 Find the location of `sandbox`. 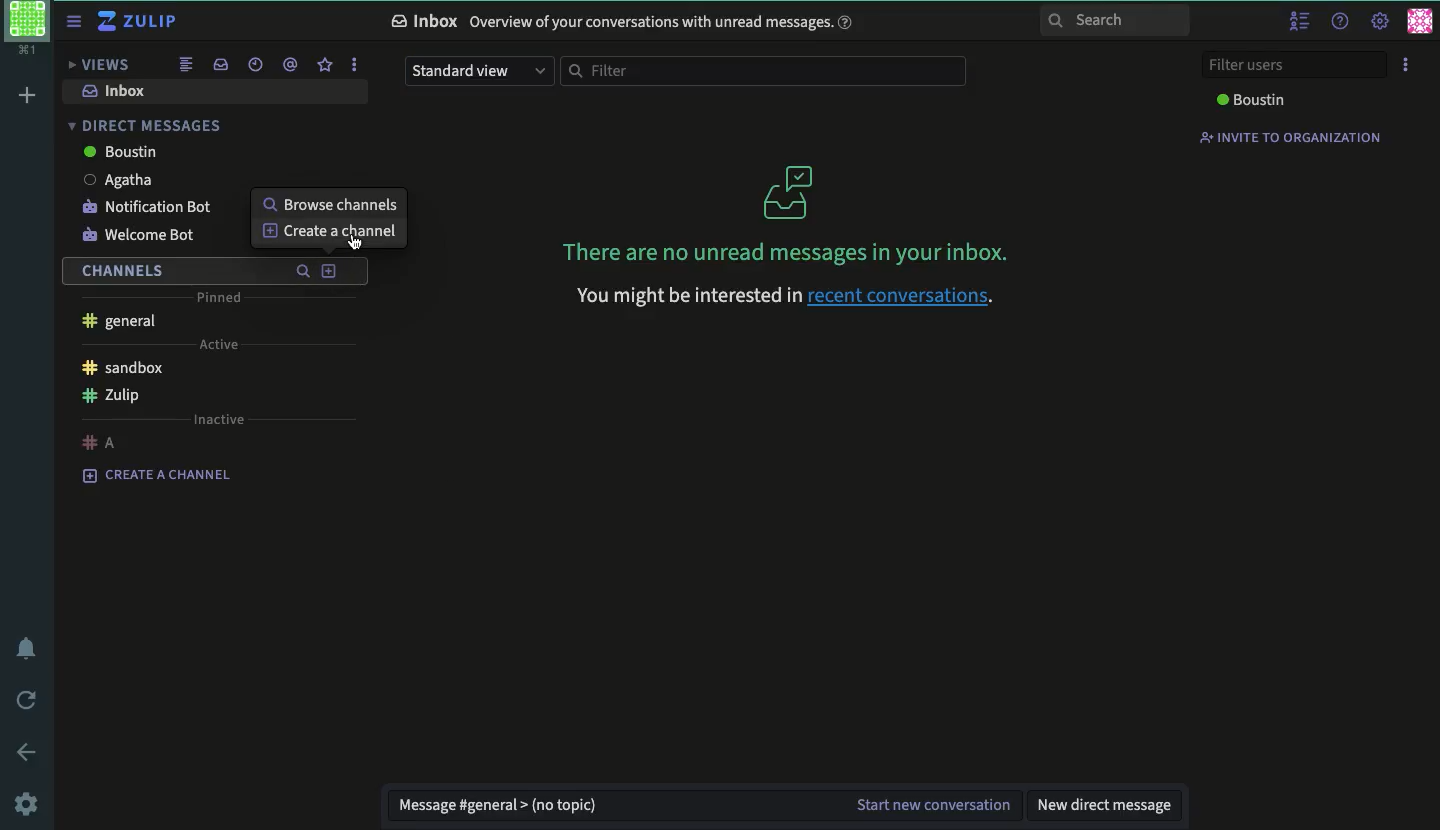

sandbox is located at coordinates (119, 368).